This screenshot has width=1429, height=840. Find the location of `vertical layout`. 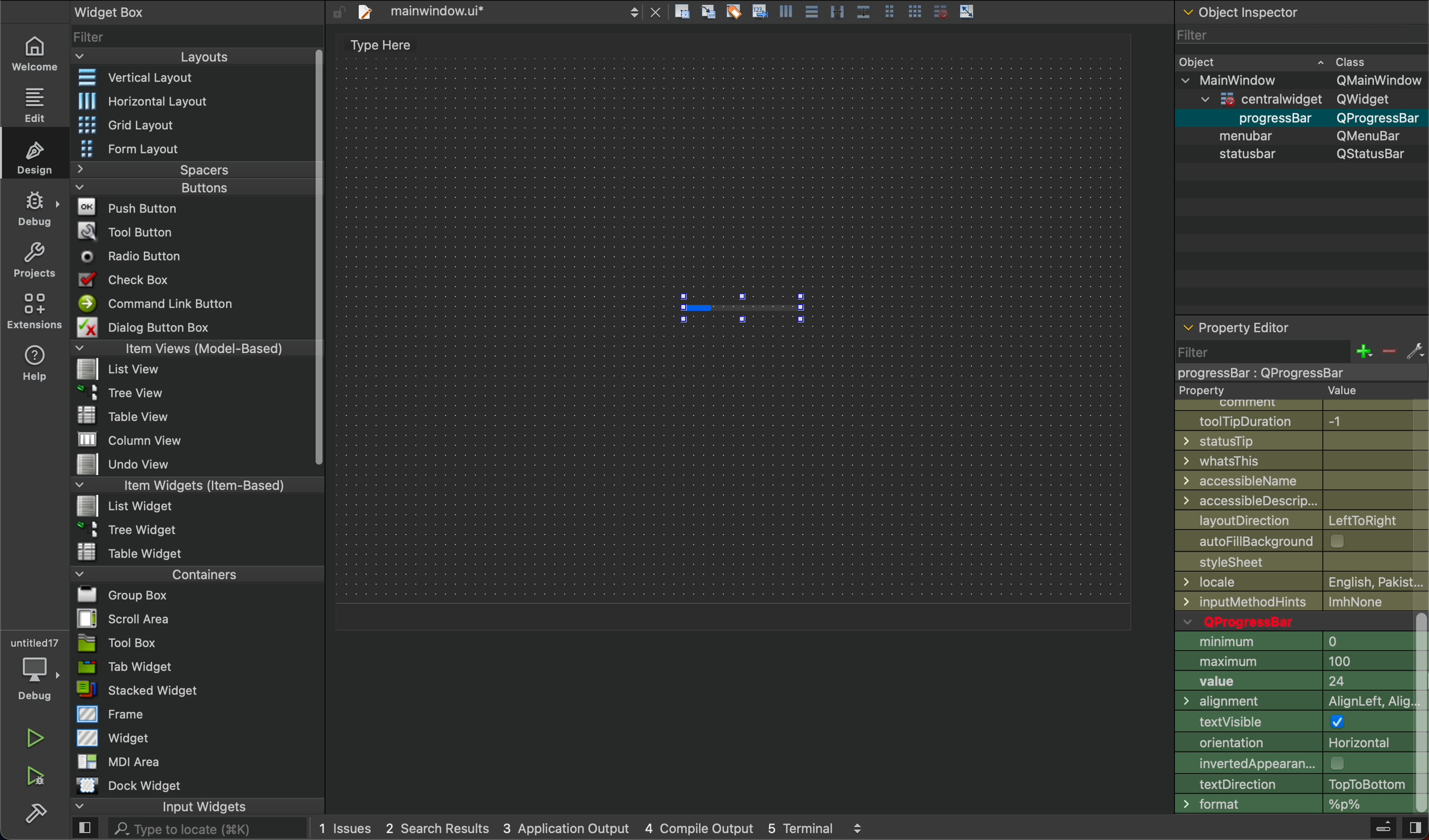

vertical layout is located at coordinates (188, 79).